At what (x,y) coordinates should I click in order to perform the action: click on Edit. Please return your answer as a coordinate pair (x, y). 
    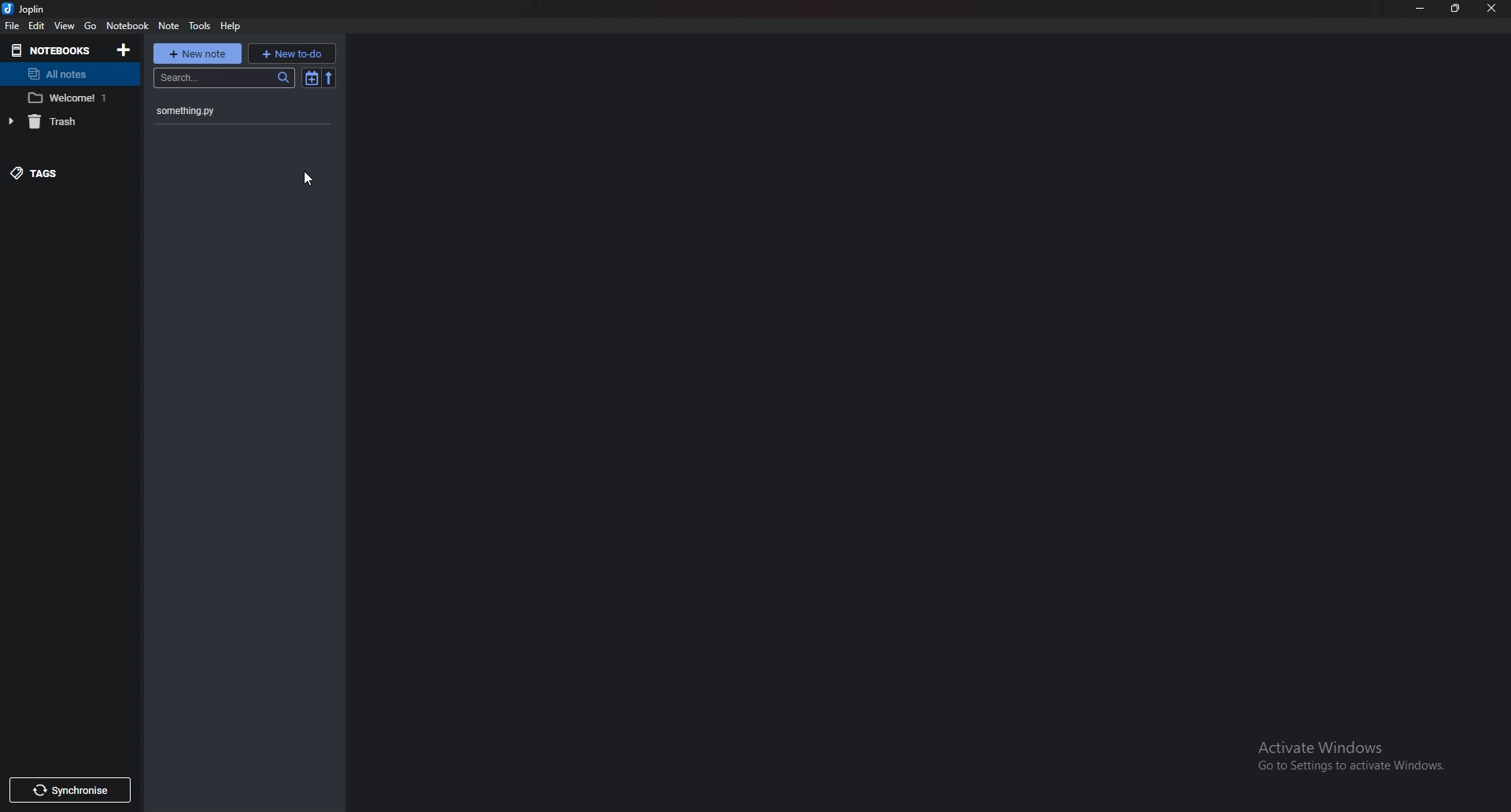
    Looking at the image, I should click on (37, 26).